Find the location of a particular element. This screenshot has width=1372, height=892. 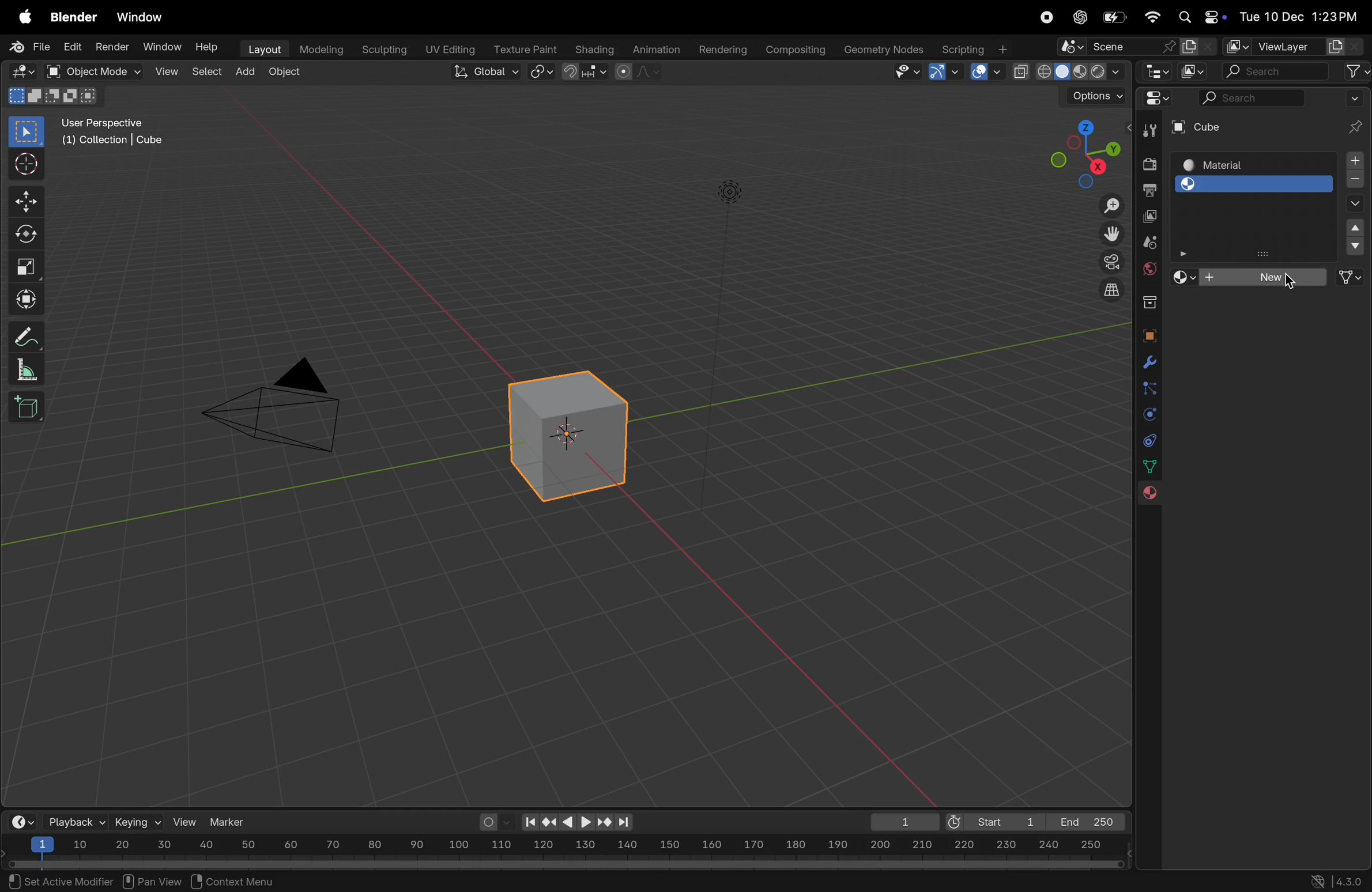

¥) set Active Modifier is located at coordinates (54, 880).